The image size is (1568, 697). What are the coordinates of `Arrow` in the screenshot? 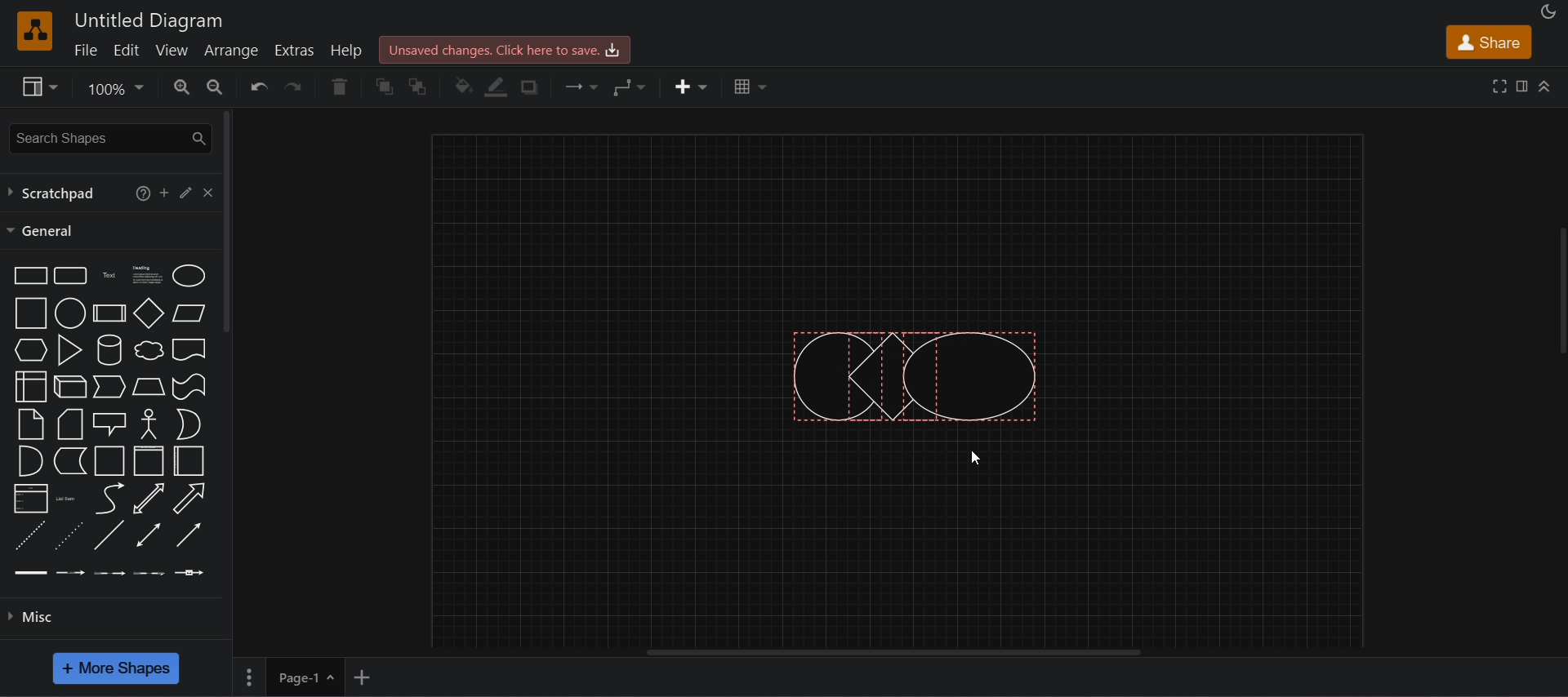 It's located at (188, 499).